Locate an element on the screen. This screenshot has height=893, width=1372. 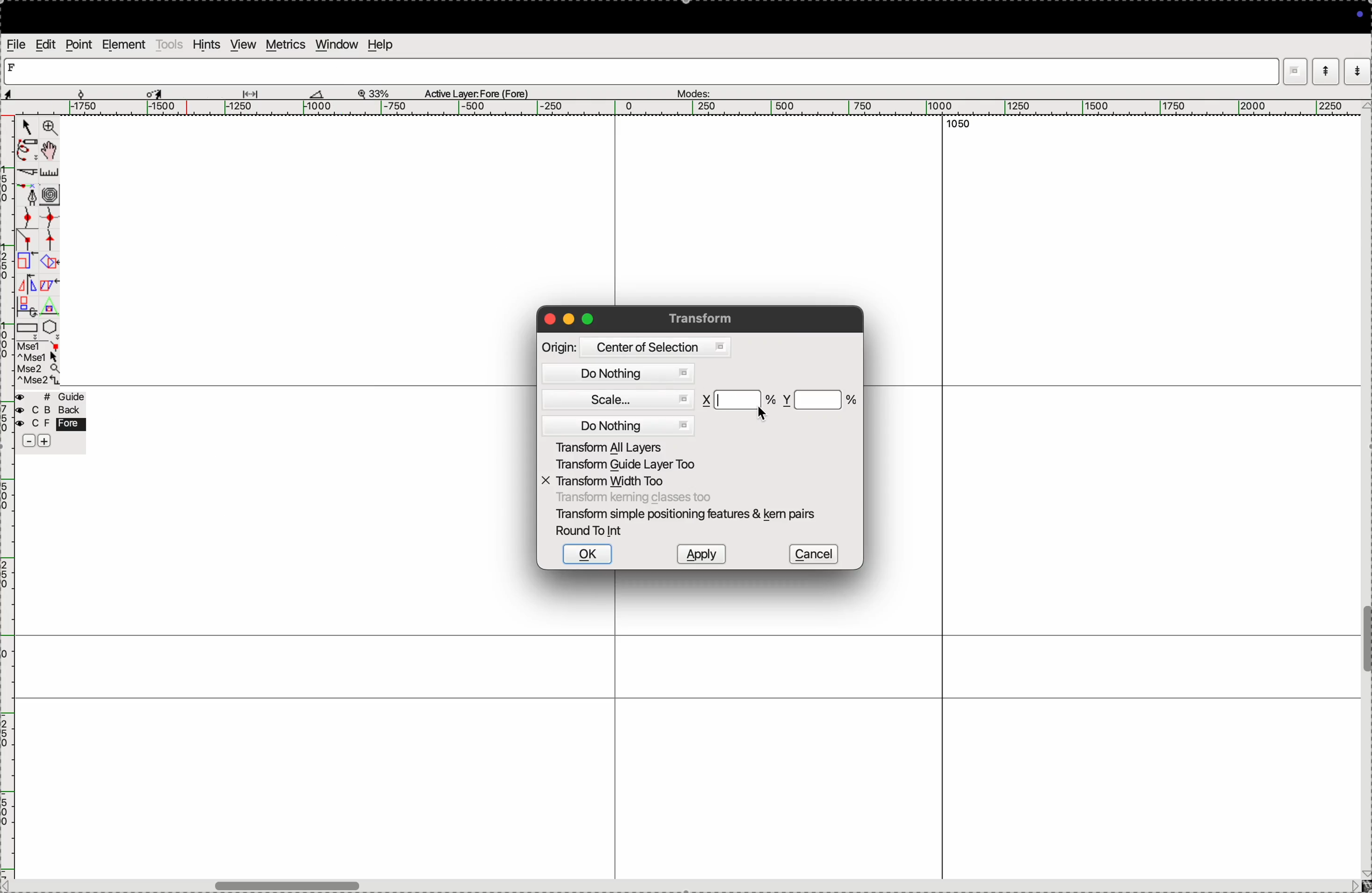
guide is located at coordinates (54, 397).